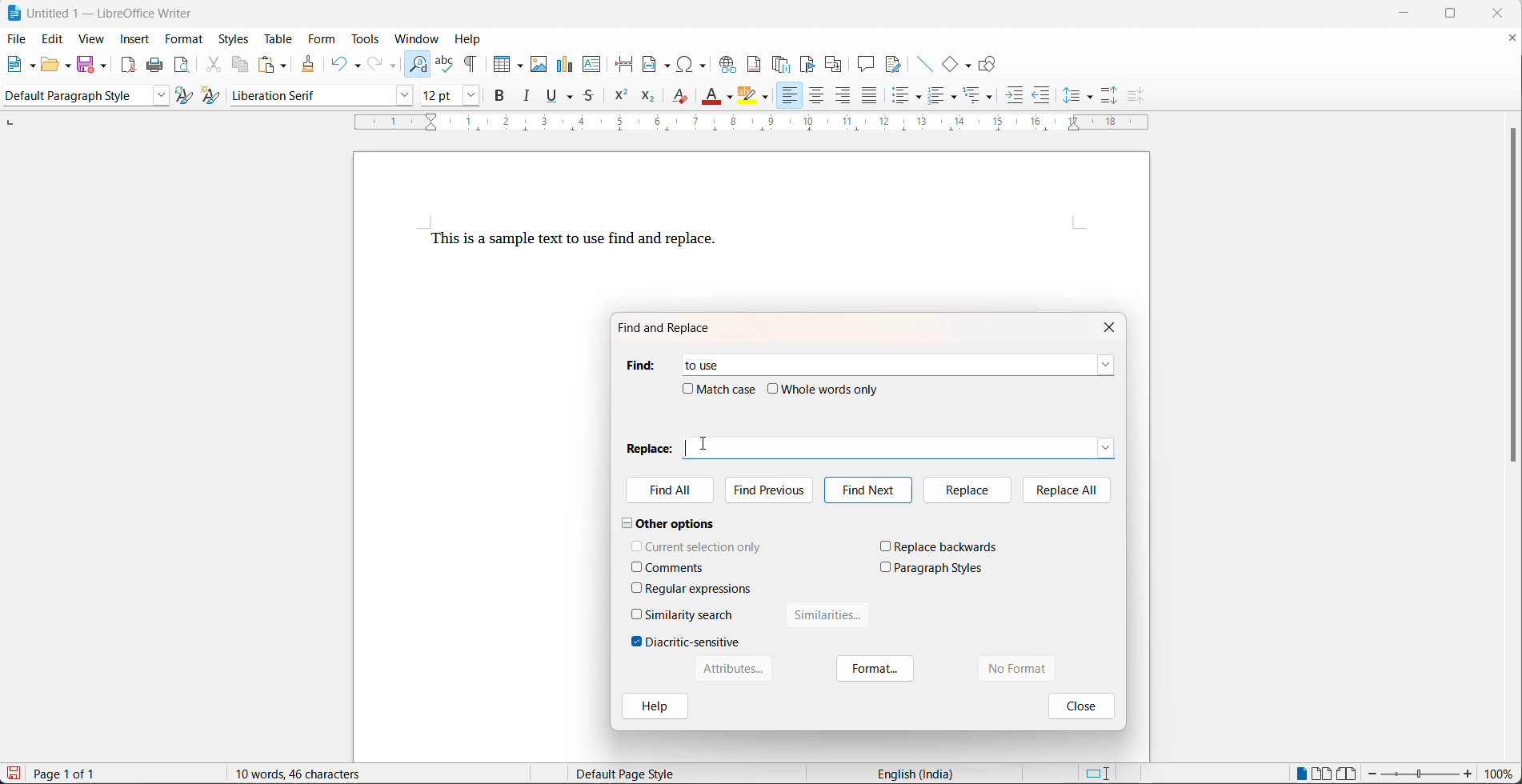 Image resolution: width=1522 pixels, height=784 pixels. I want to click on match case, so click(728, 389).